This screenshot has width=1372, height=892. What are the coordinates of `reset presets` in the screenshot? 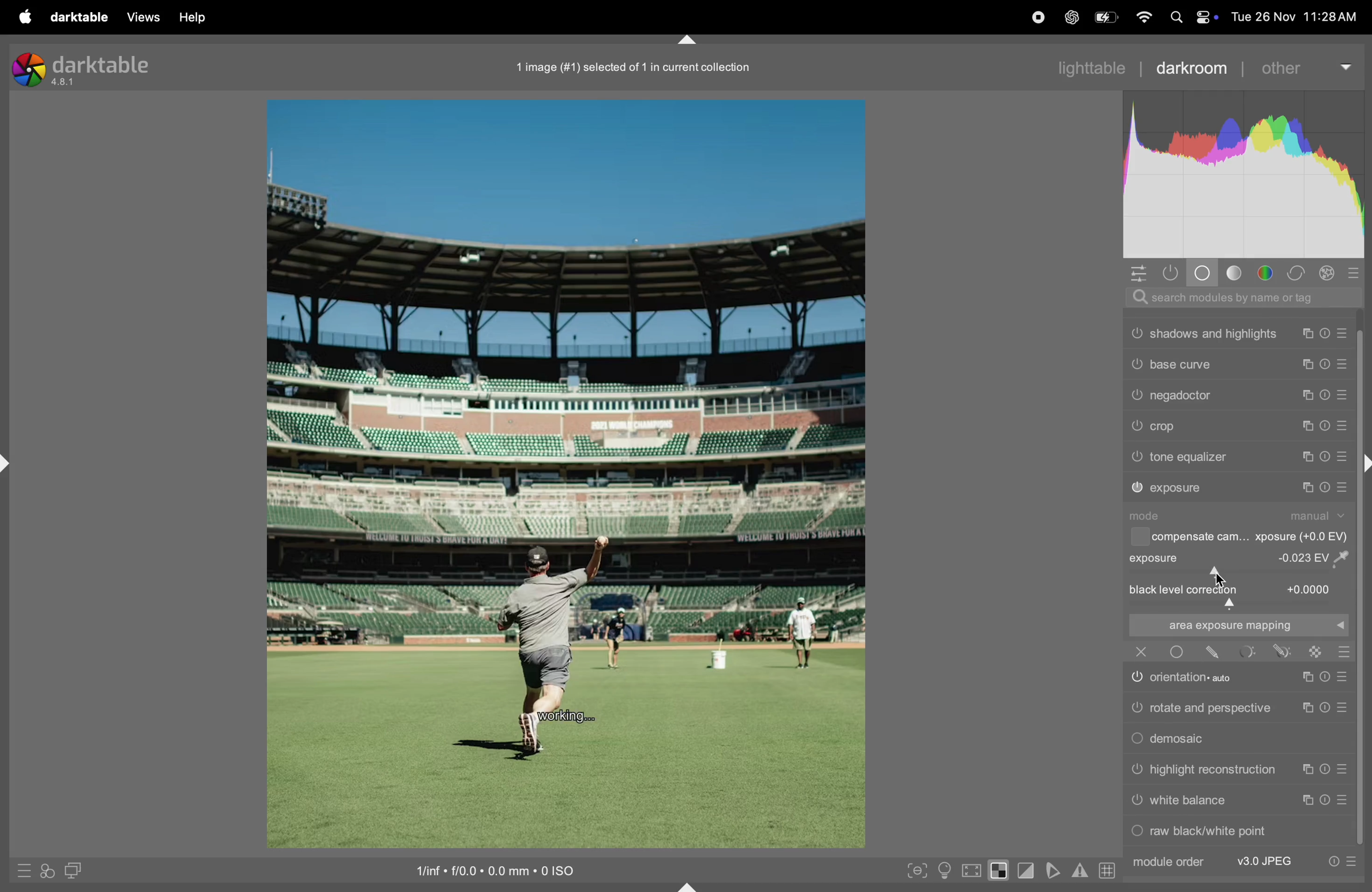 It's located at (1327, 334).